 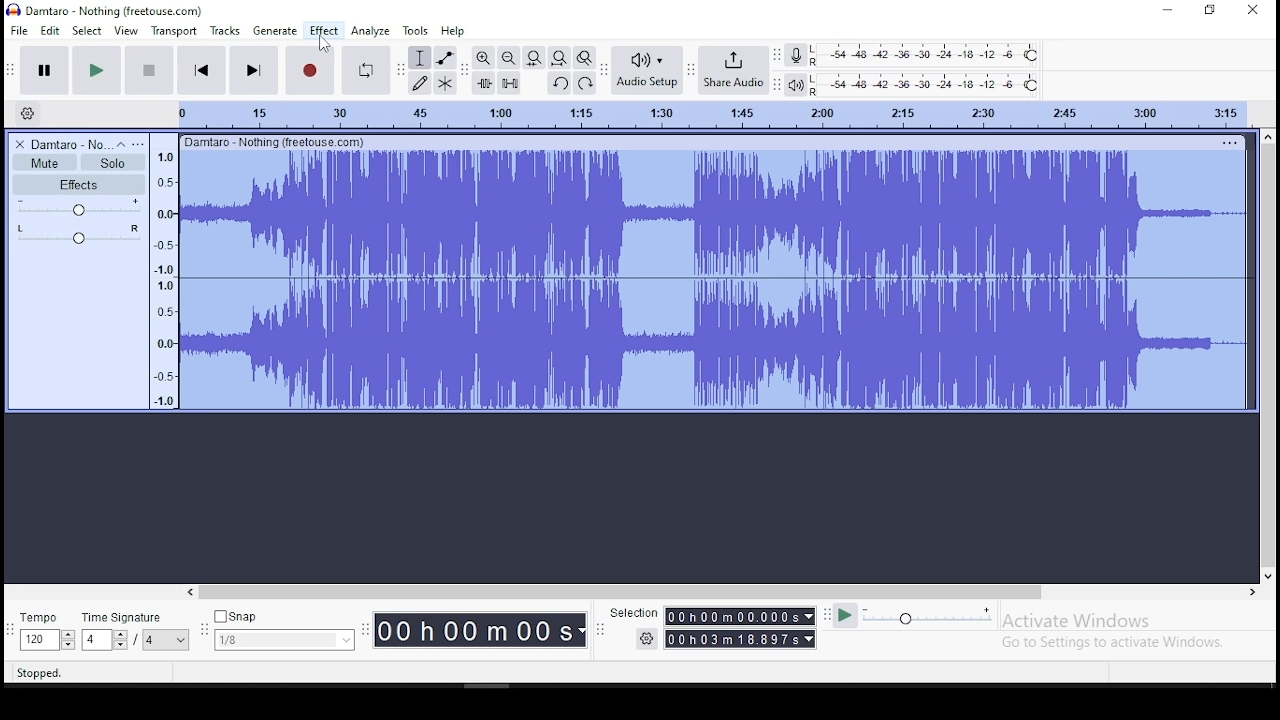 I want to click on track time, so click(x=711, y=112).